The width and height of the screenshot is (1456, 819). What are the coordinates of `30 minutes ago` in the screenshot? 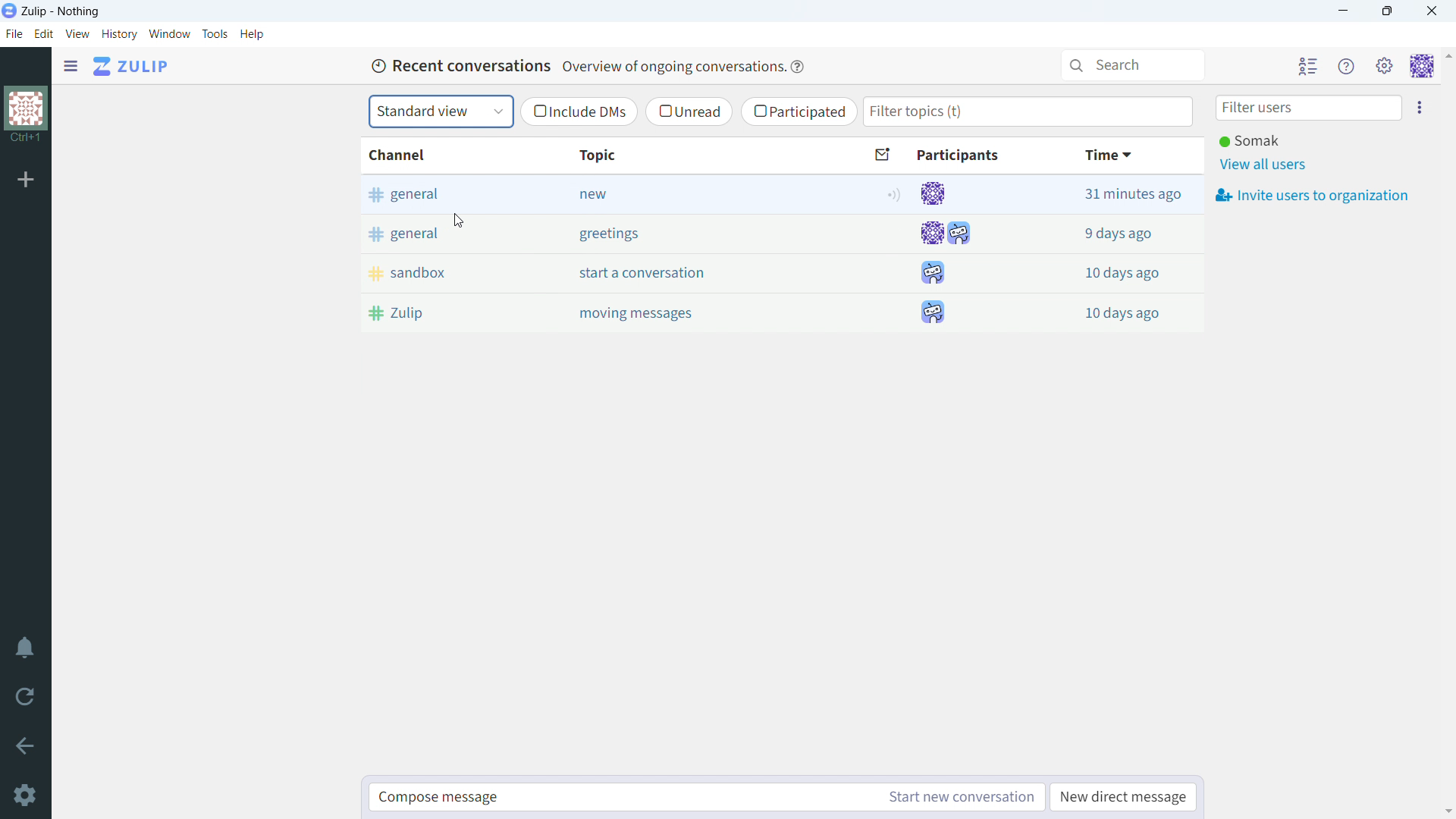 It's located at (1123, 195).